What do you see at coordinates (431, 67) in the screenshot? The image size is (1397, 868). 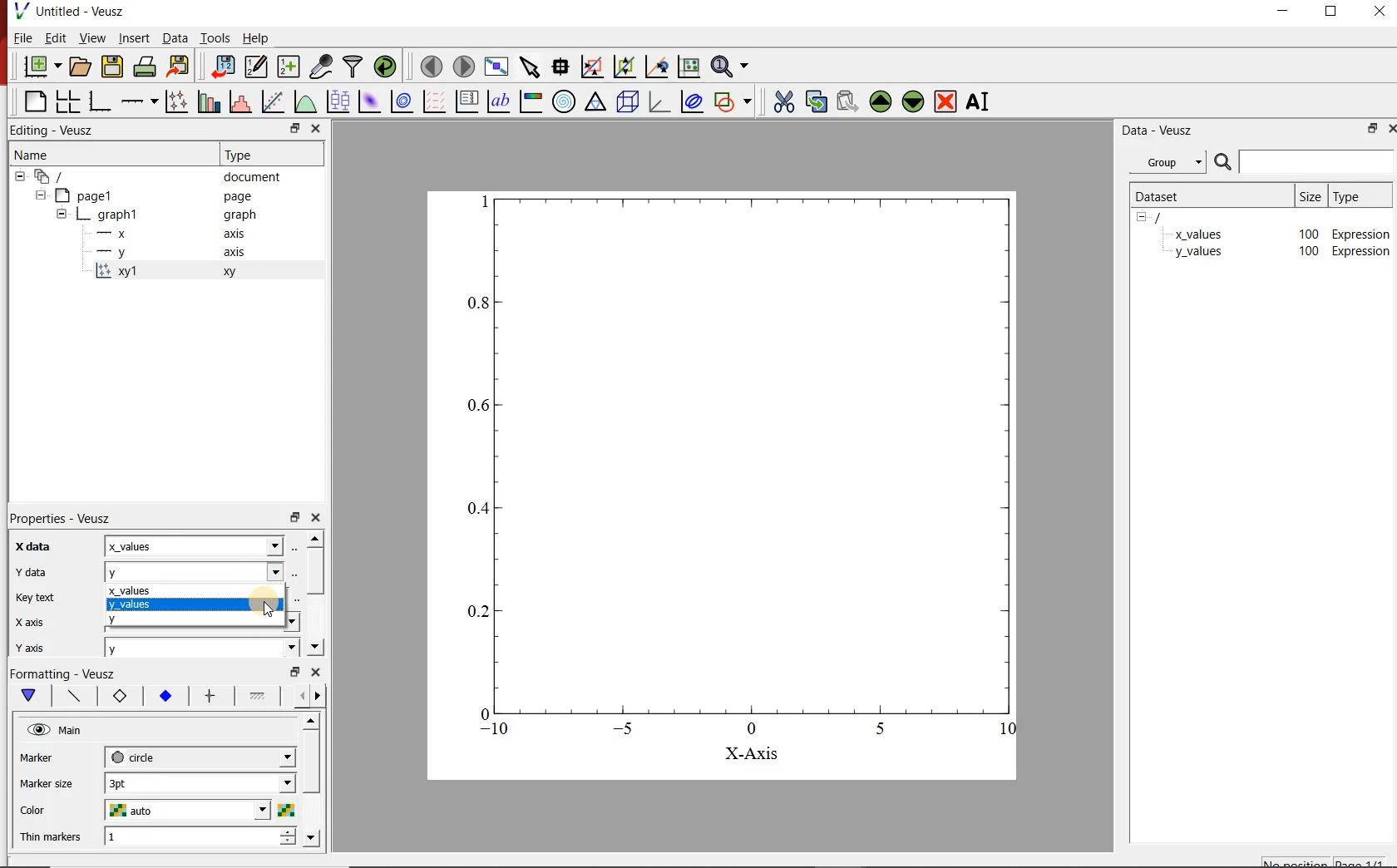 I see `move to previous page` at bounding box center [431, 67].